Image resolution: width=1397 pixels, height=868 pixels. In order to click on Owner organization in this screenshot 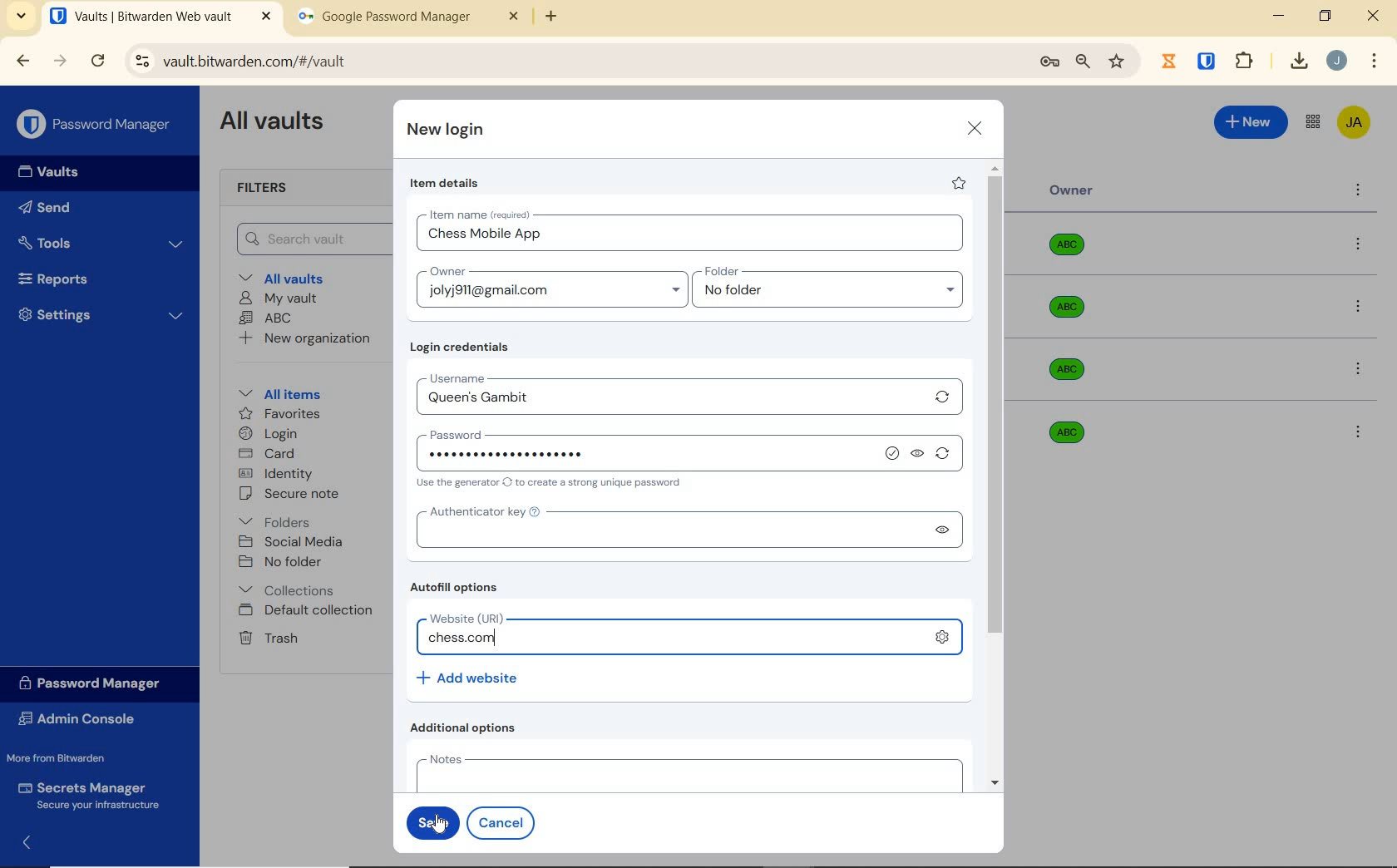, I will do `click(1073, 369)`.